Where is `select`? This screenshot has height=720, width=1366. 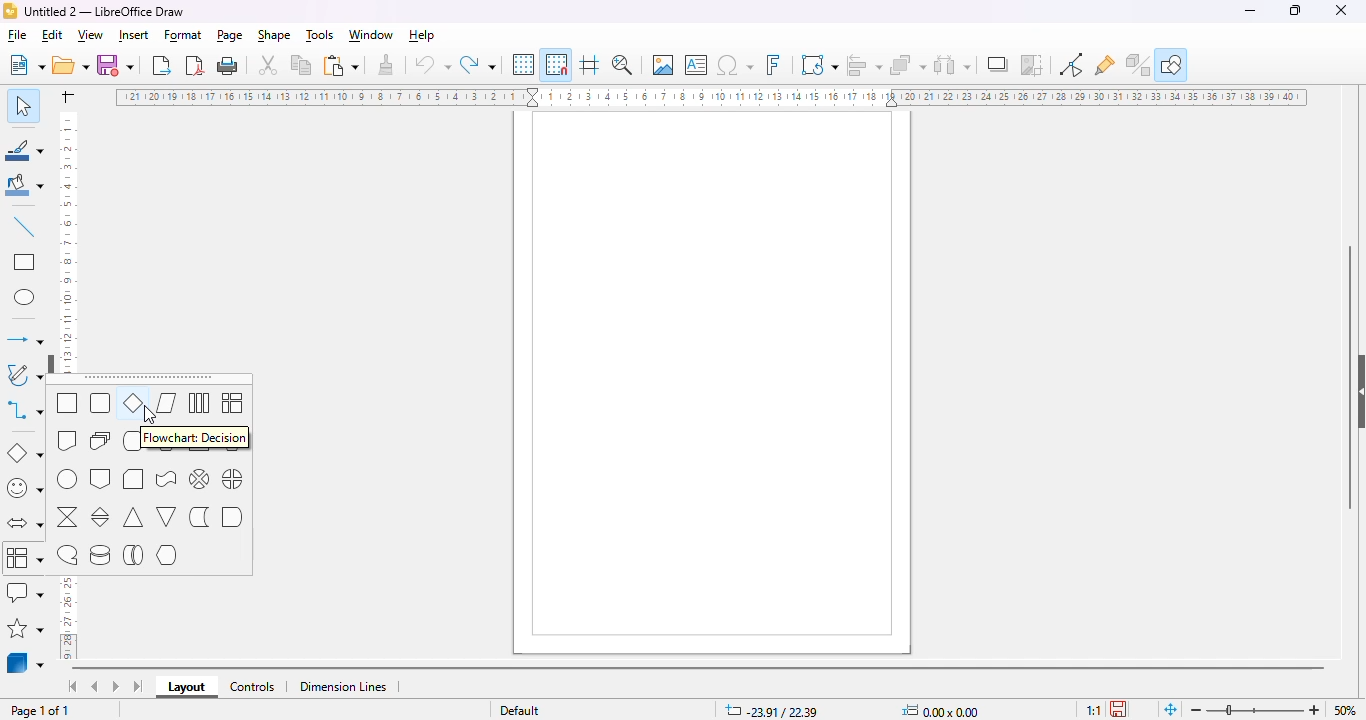
select is located at coordinates (22, 105).